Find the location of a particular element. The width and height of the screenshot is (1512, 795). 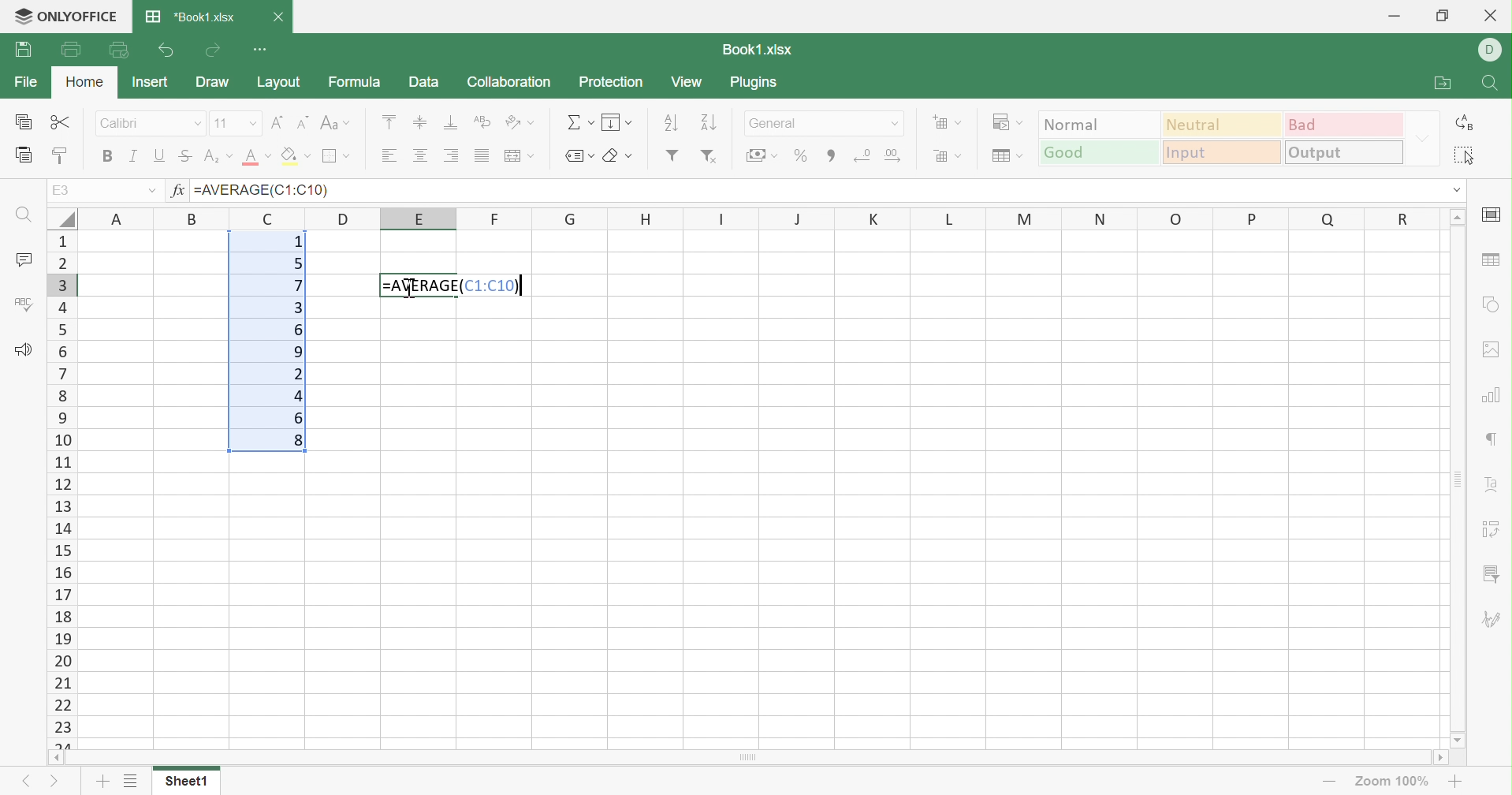

2 is located at coordinates (299, 375).